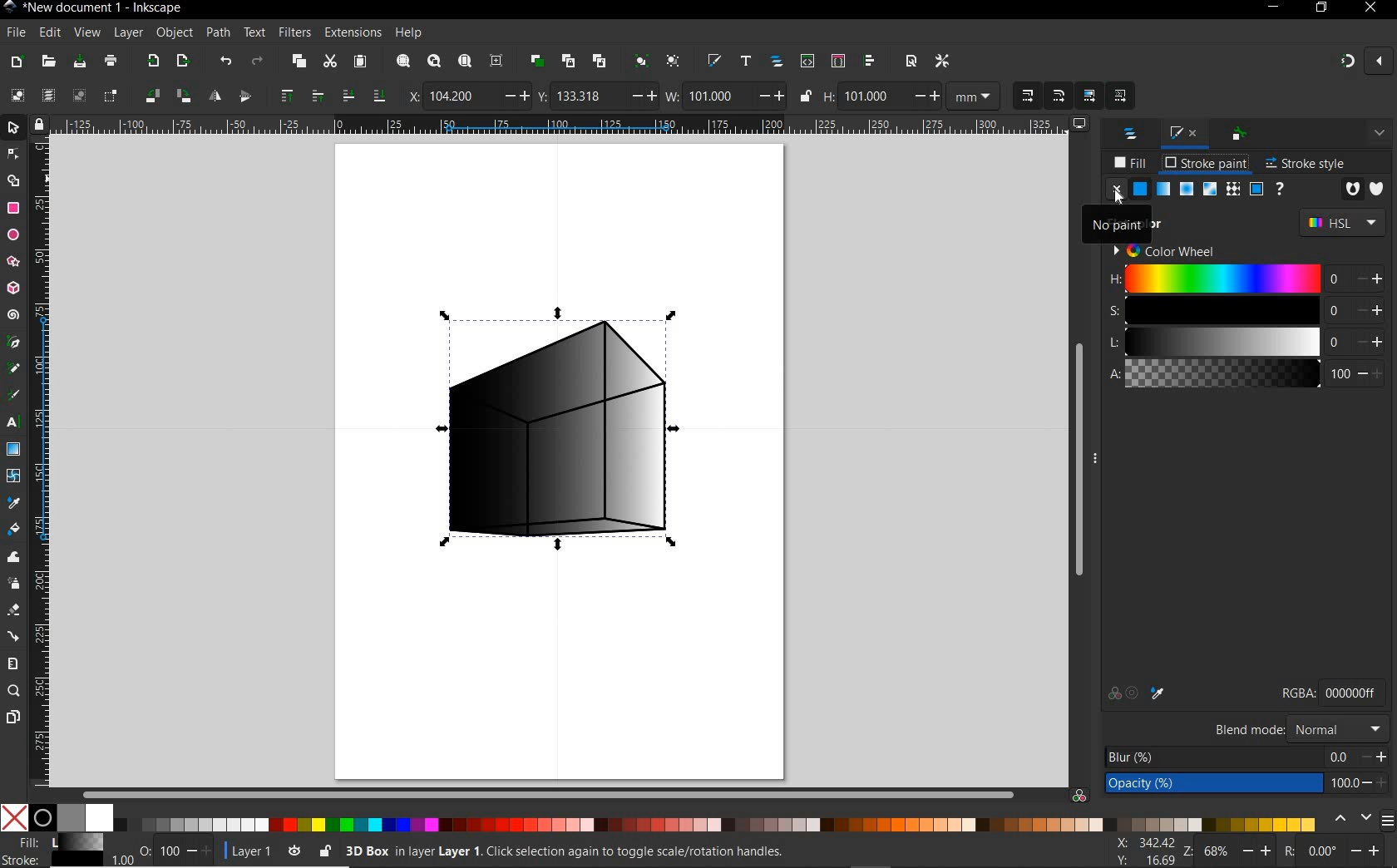 The height and width of the screenshot is (868, 1397). What do you see at coordinates (253, 851) in the screenshot?
I see `LAYER 1-CURRENT LAYER` at bounding box center [253, 851].